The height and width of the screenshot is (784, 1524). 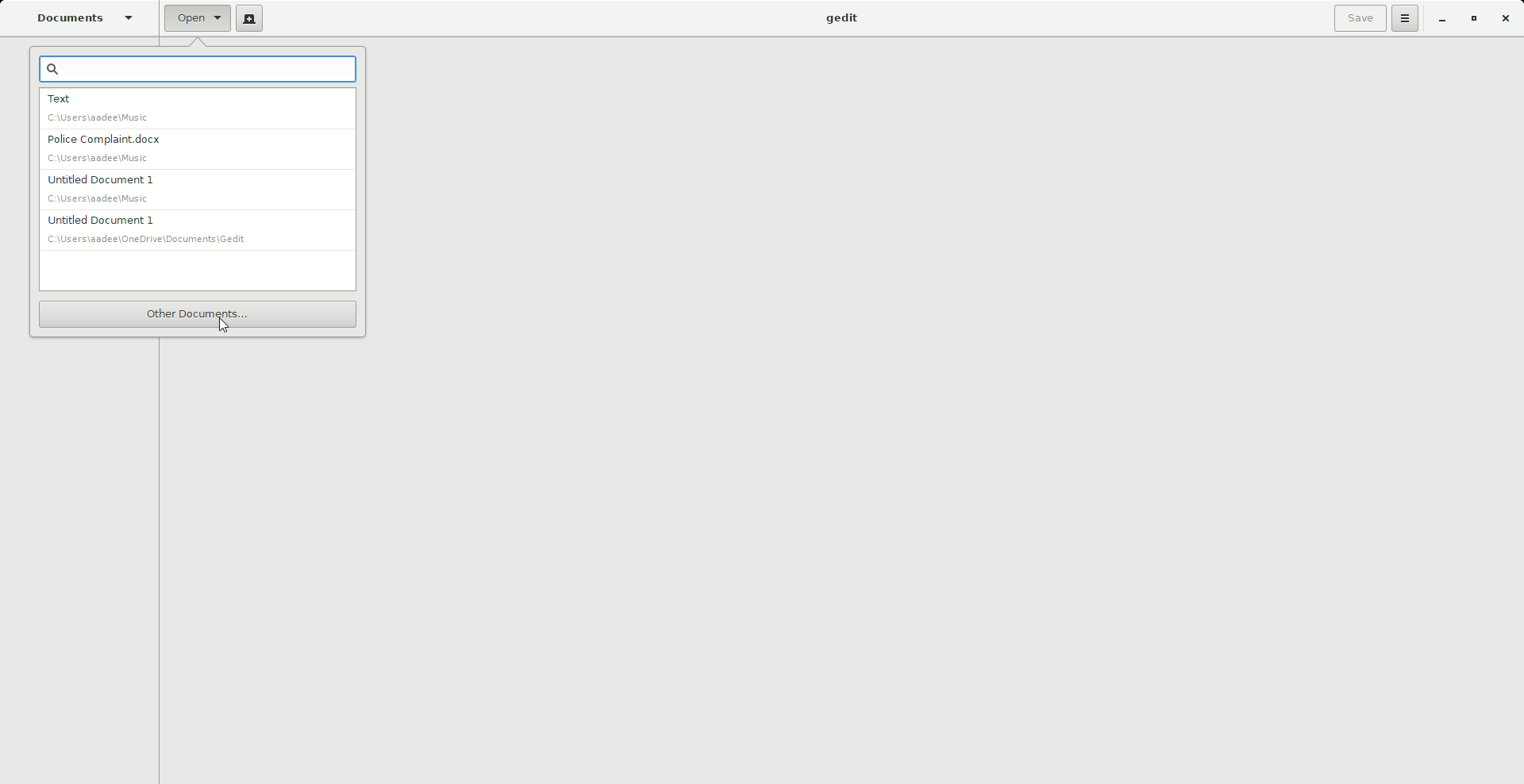 I want to click on Close, so click(x=1506, y=20).